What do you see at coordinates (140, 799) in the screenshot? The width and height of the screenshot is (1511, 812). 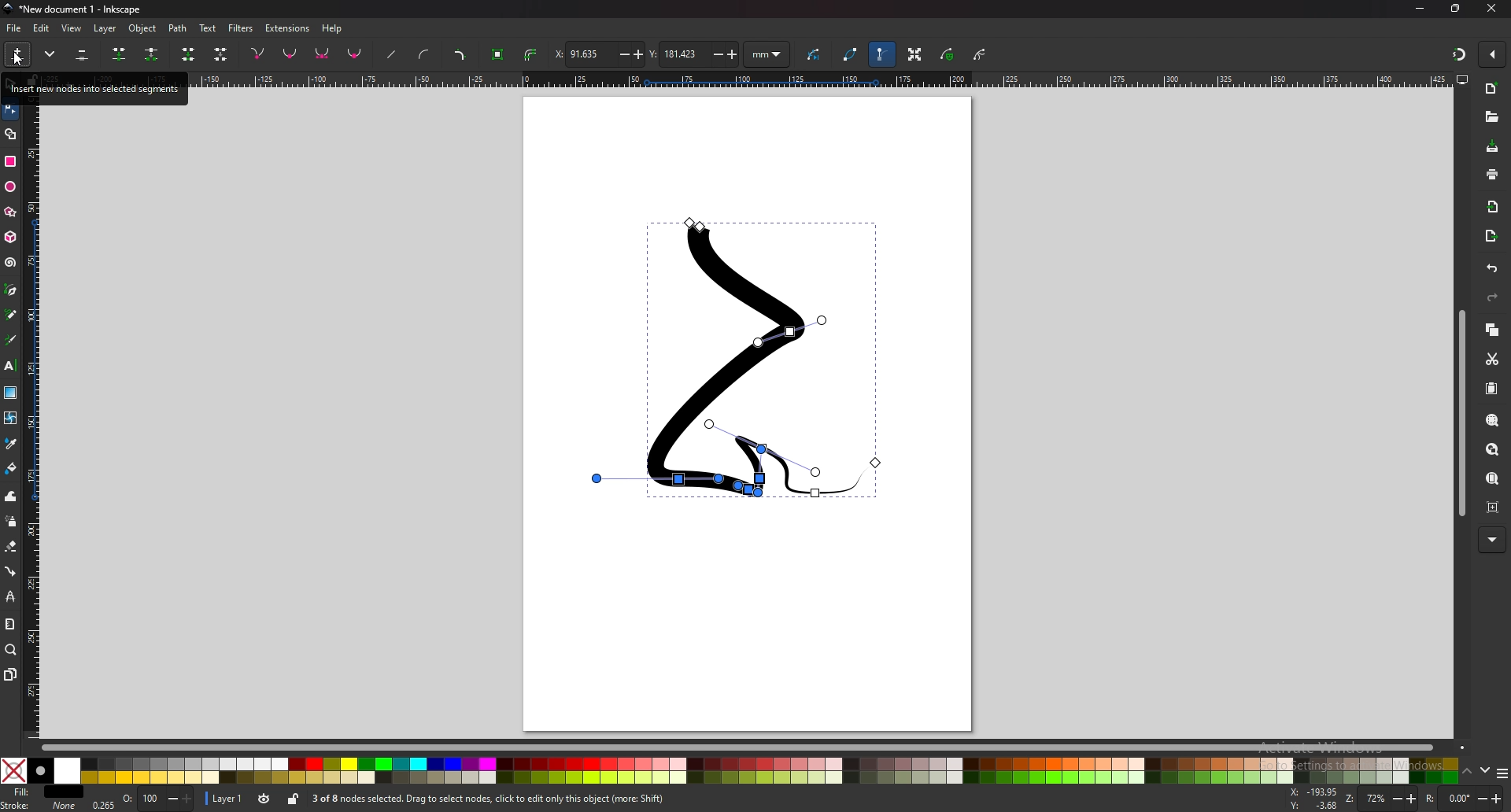 I see `Opacity` at bounding box center [140, 799].